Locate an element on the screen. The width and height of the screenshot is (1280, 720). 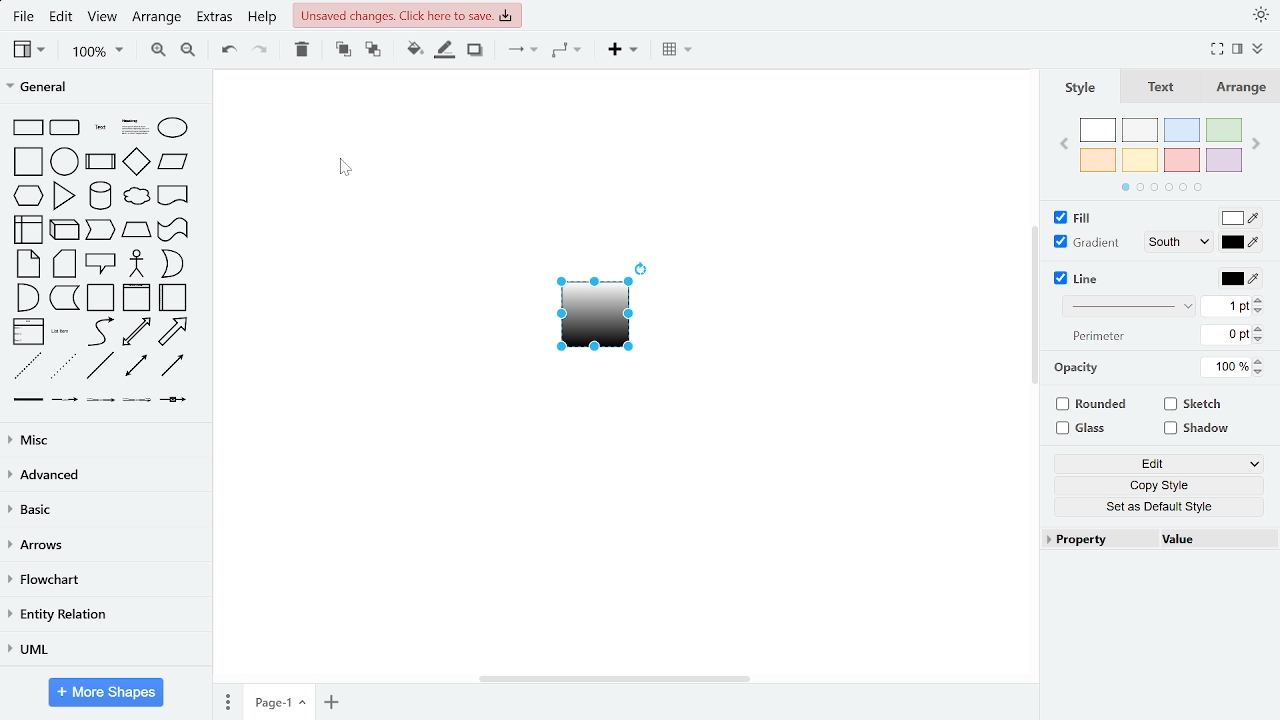
misc is located at coordinates (102, 442).